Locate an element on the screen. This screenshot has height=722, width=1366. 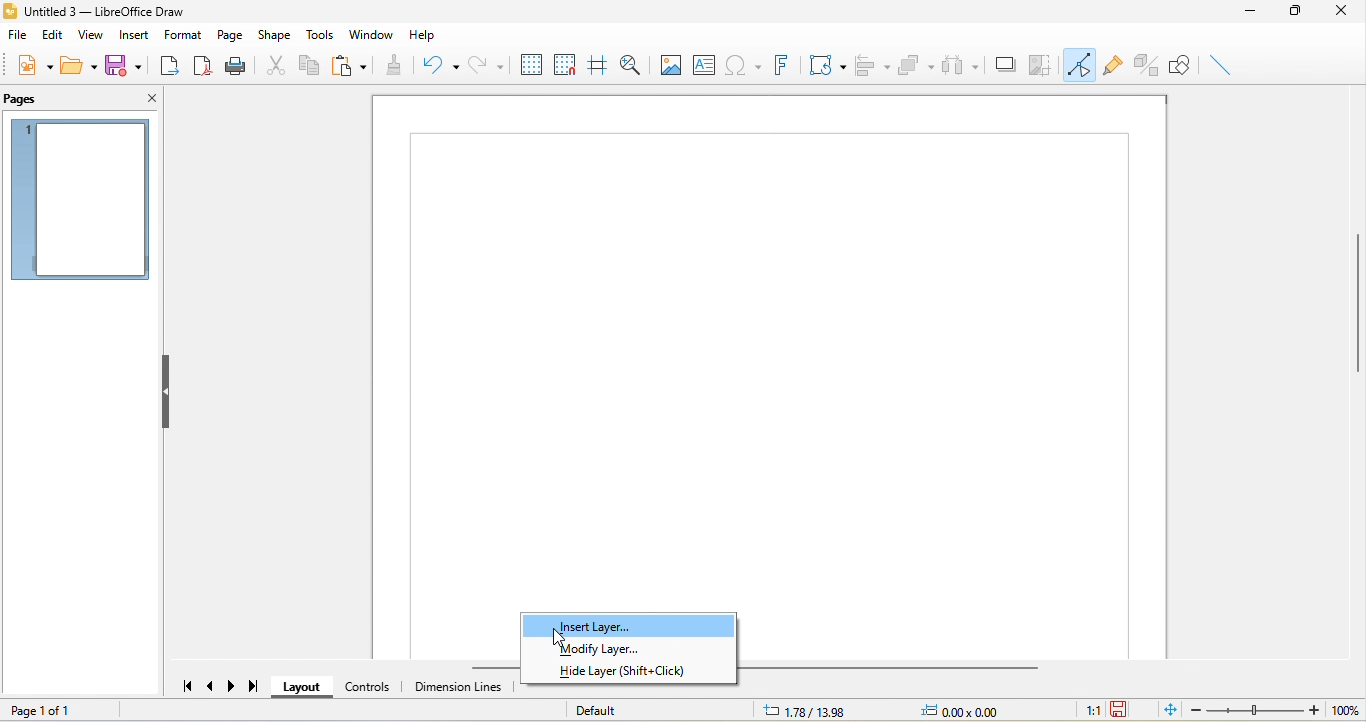
1.78/13.98 is located at coordinates (803, 710).